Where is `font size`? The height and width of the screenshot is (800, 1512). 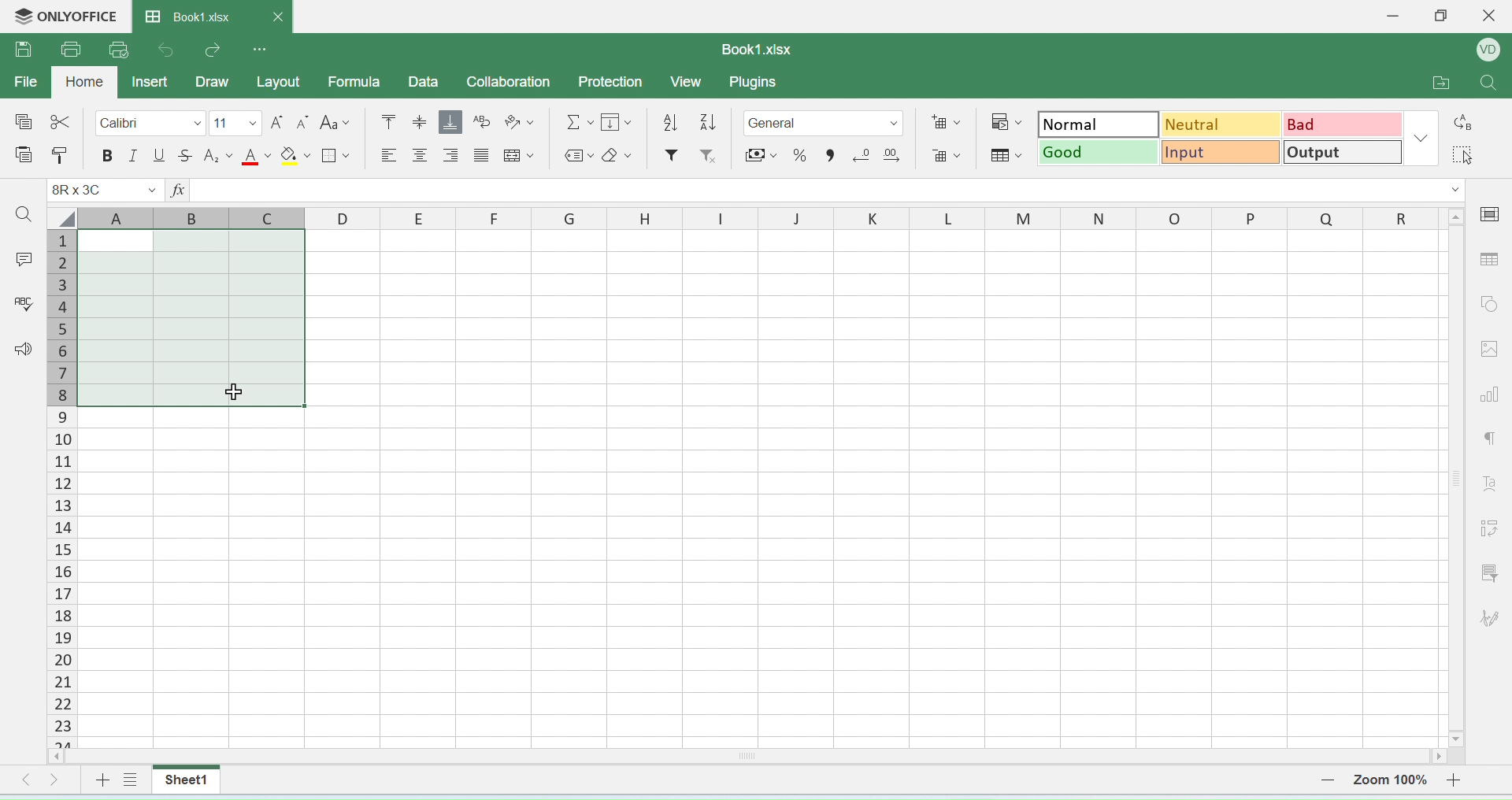
font size is located at coordinates (237, 123).